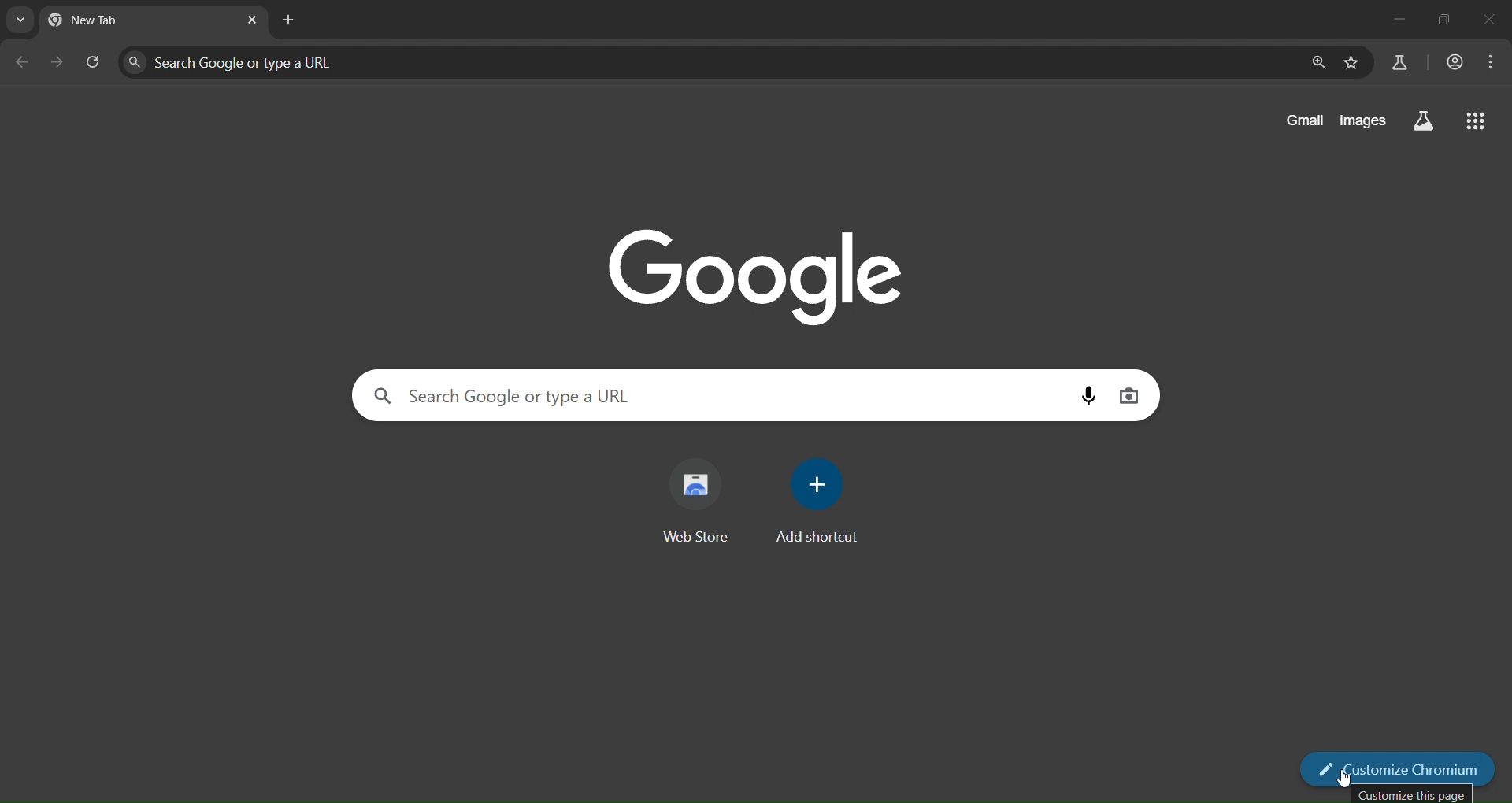 This screenshot has height=803, width=1512. Describe the element at coordinates (57, 61) in the screenshot. I see `go forward one page` at that location.